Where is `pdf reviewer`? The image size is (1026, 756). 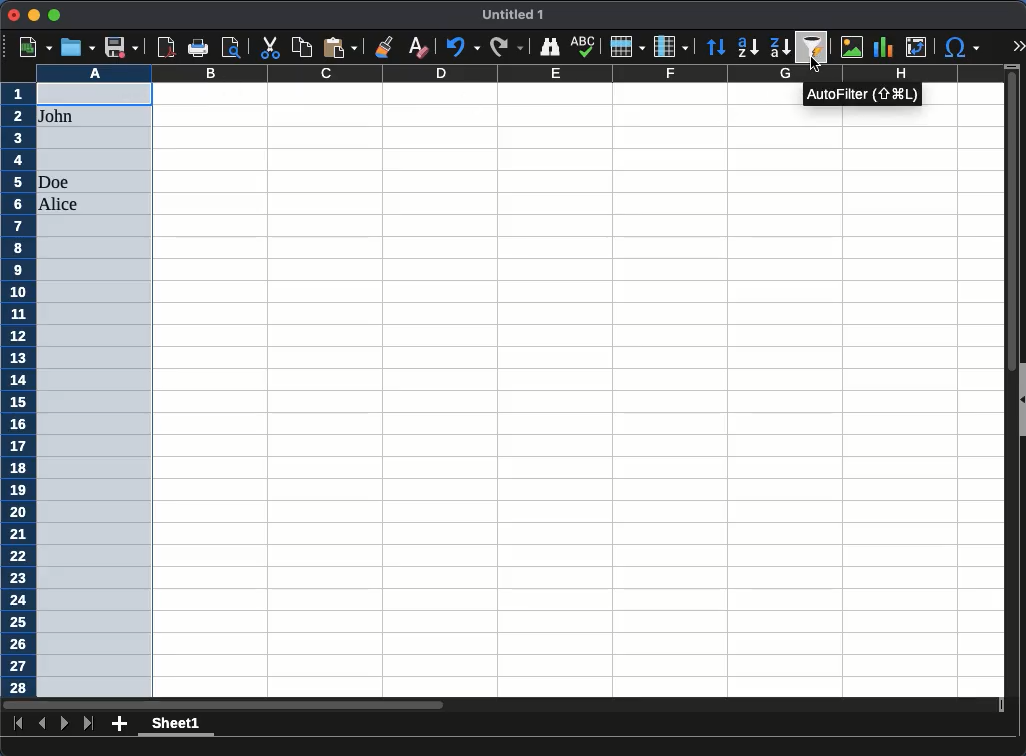 pdf reviewer is located at coordinates (167, 47).